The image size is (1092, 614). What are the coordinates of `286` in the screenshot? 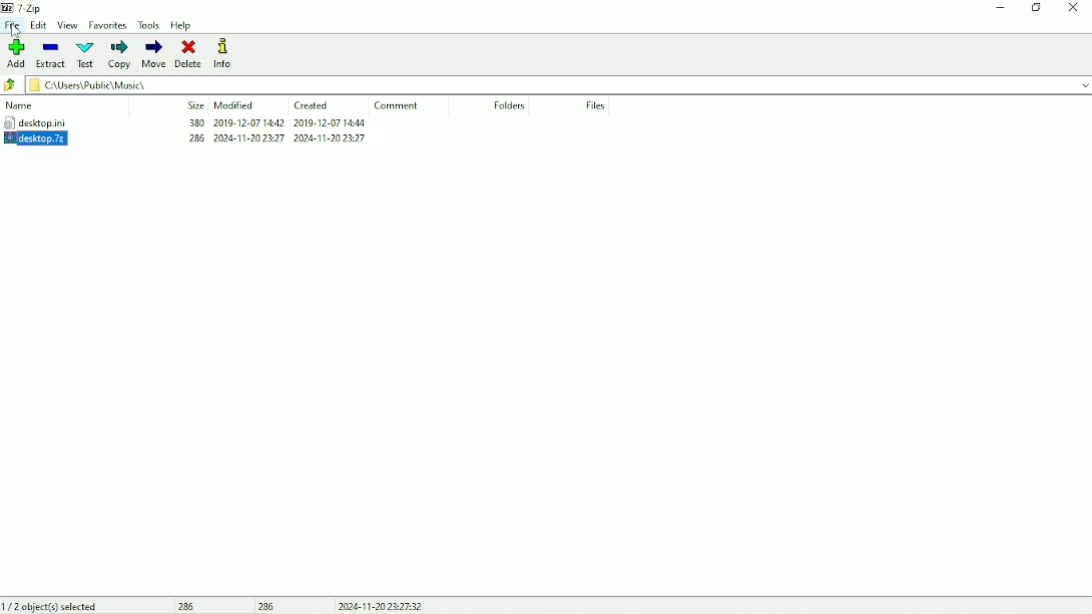 It's located at (197, 138).